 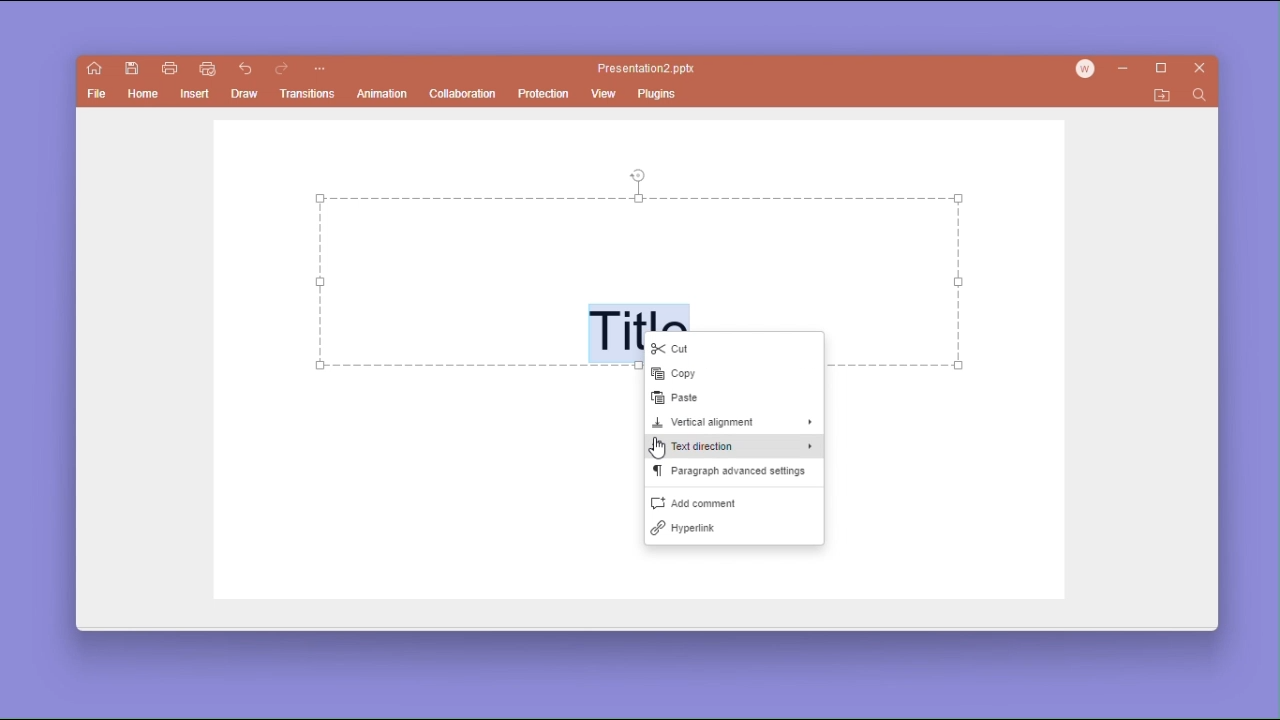 What do you see at coordinates (462, 93) in the screenshot?
I see `collaboration` at bounding box center [462, 93].